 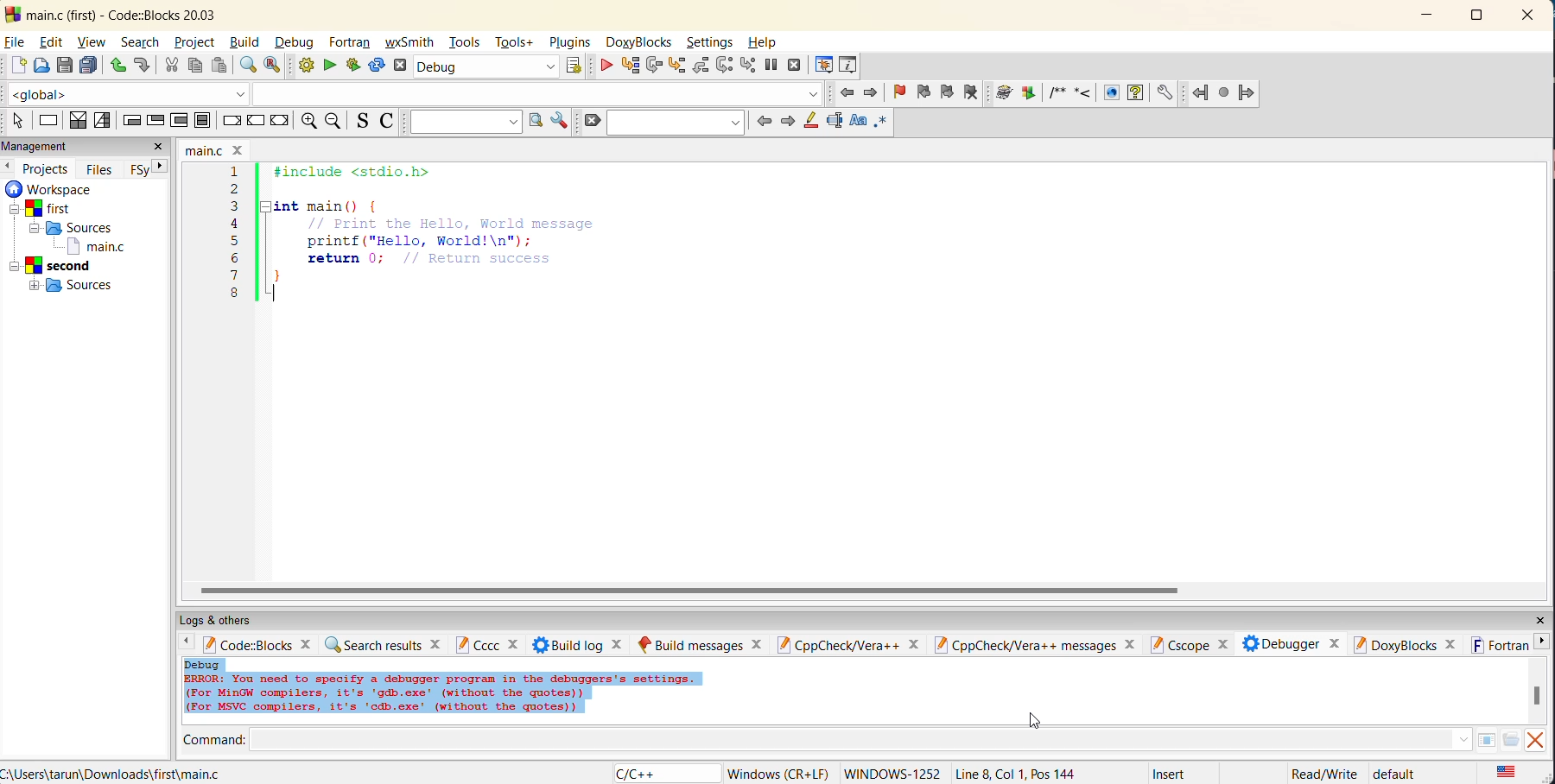 What do you see at coordinates (852, 644) in the screenshot?
I see `cppcheck/vera++` at bounding box center [852, 644].